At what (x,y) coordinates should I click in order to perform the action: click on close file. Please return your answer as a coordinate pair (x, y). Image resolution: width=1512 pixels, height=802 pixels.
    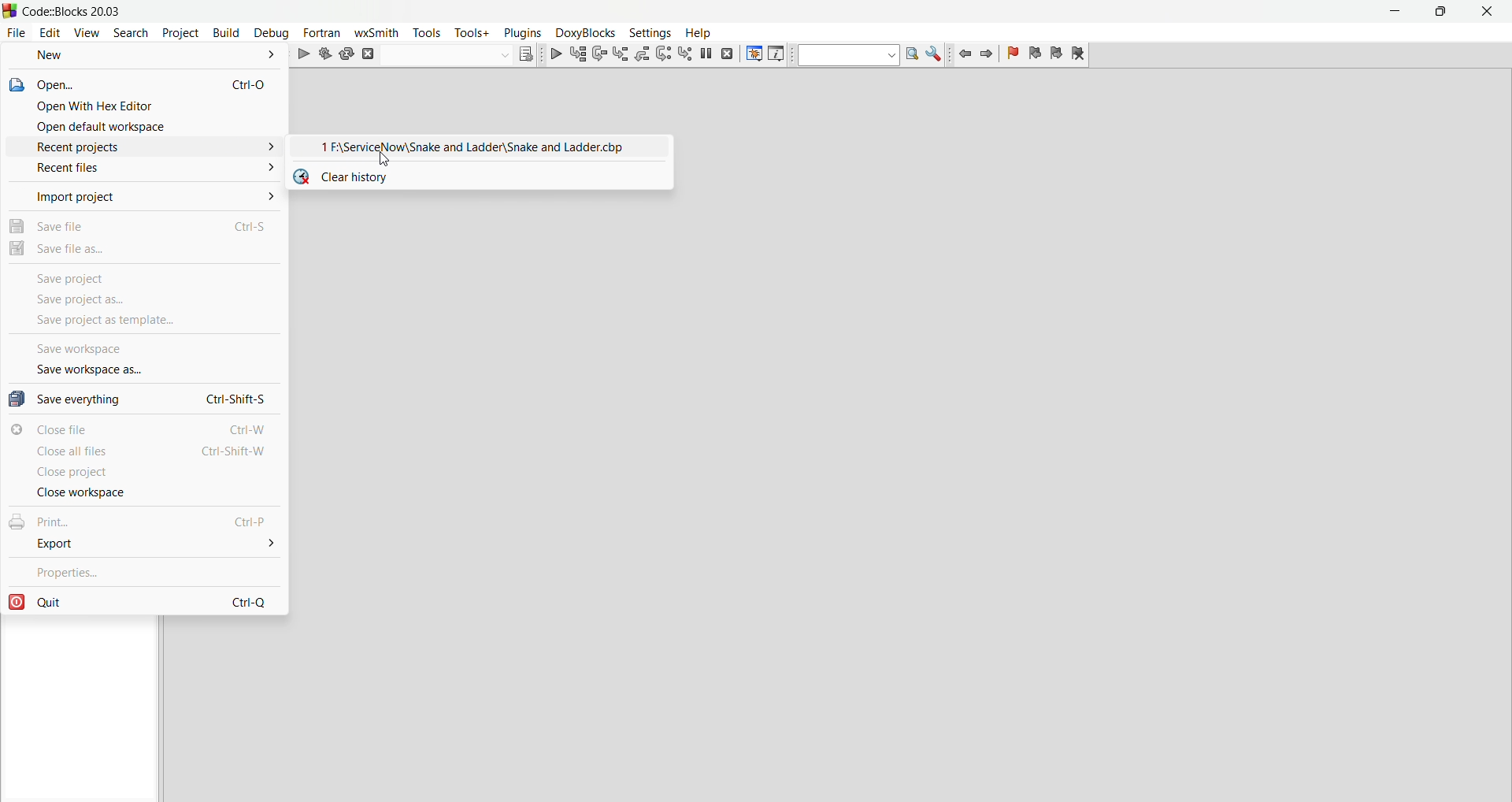
    Looking at the image, I should click on (145, 428).